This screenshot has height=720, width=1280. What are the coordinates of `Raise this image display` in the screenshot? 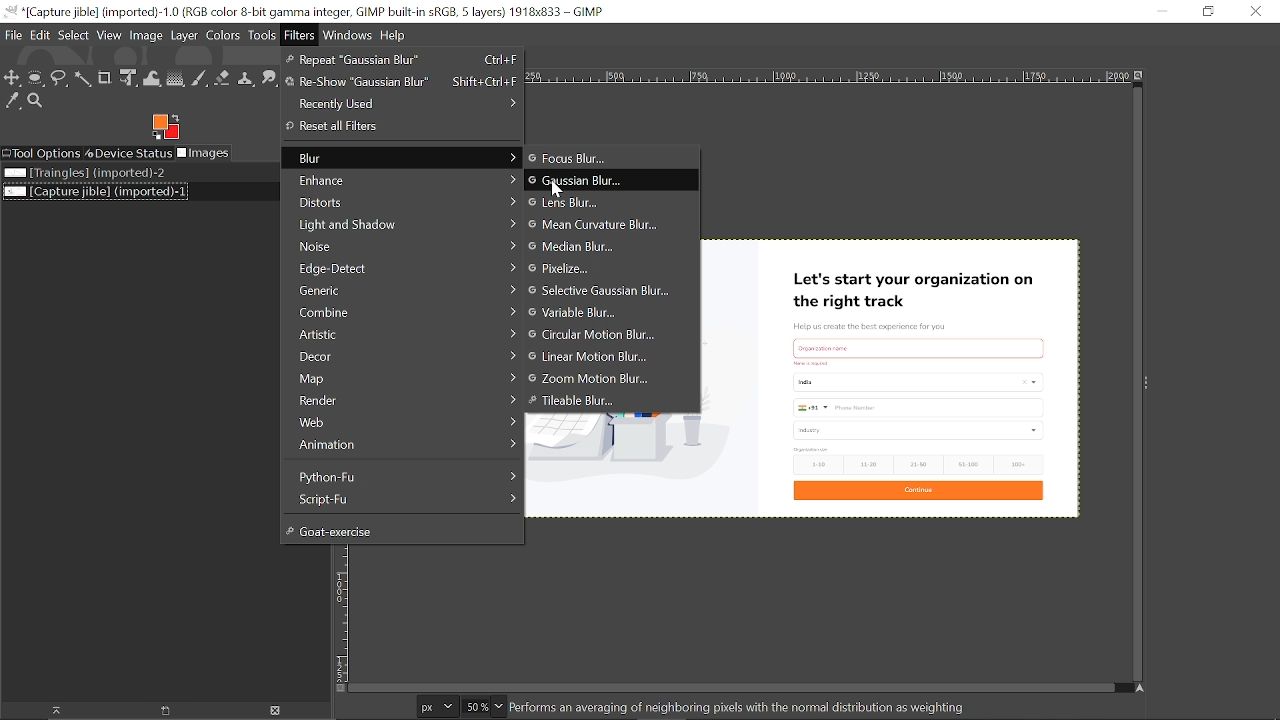 It's located at (54, 711).